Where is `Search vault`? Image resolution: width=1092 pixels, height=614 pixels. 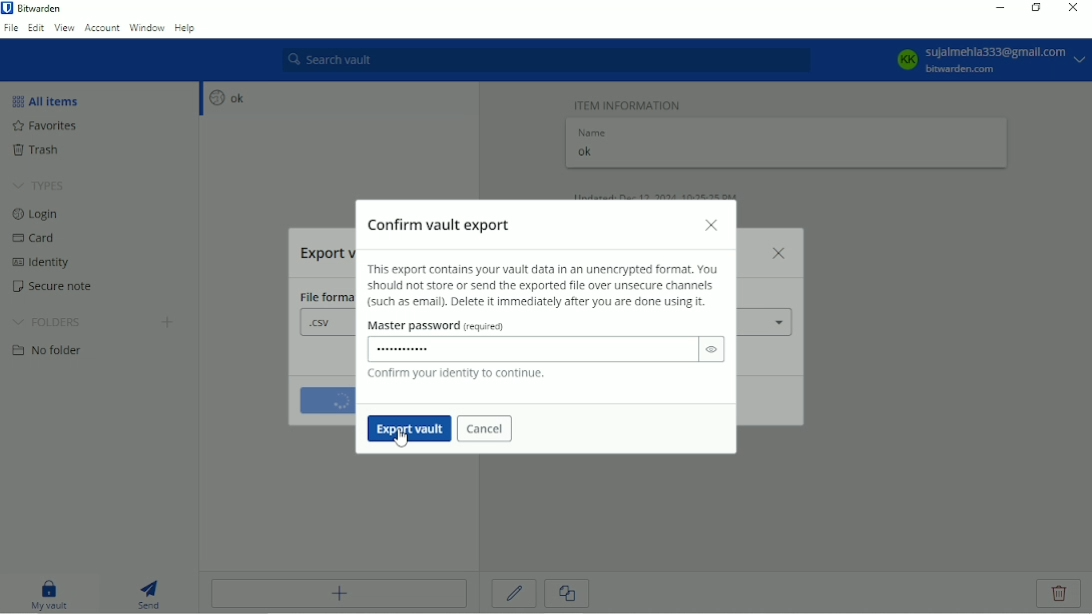
Search vault is located at coordinates (546, 60).